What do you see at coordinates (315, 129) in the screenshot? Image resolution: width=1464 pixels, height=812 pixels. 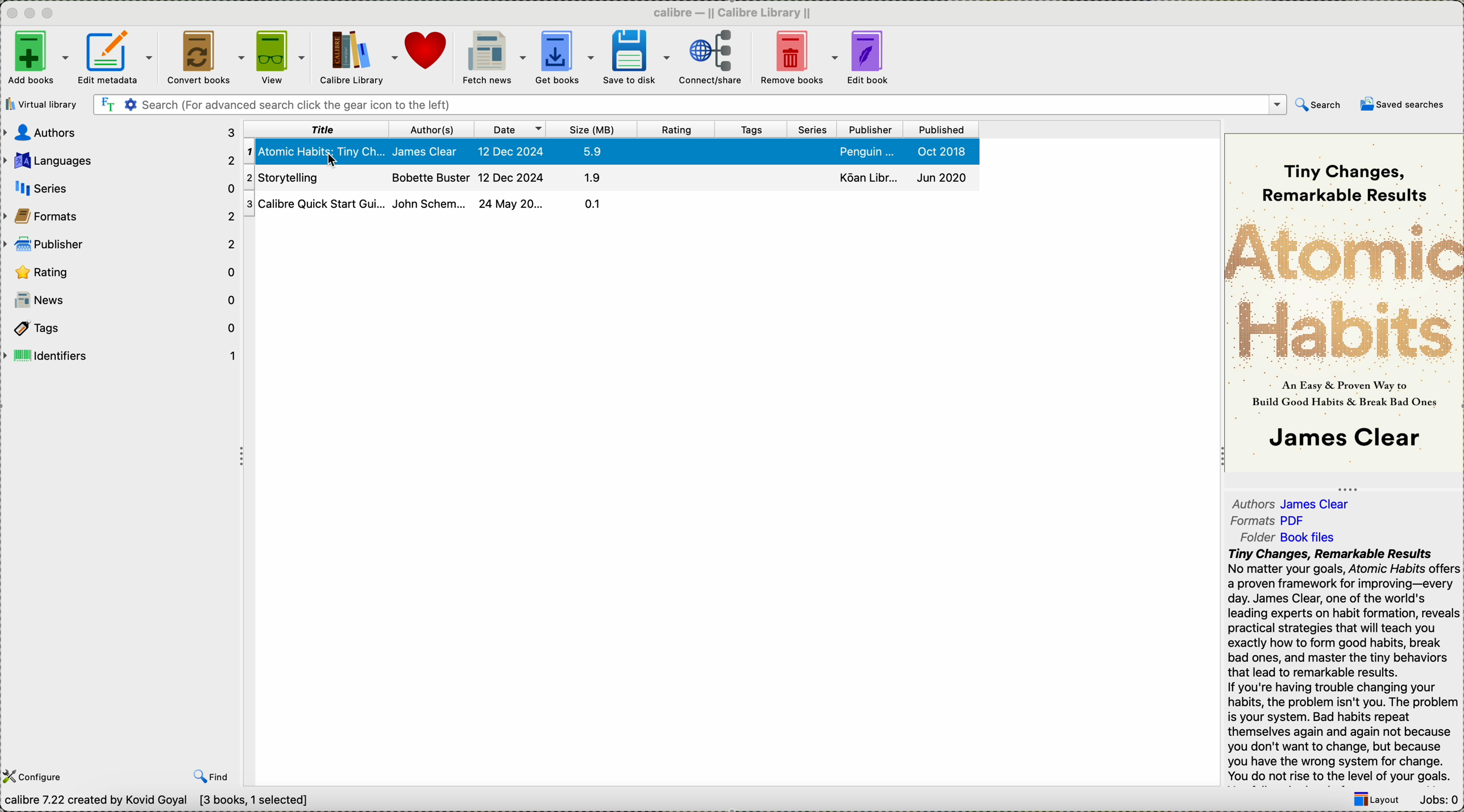 I see `title` at bounding box center [315, 129].